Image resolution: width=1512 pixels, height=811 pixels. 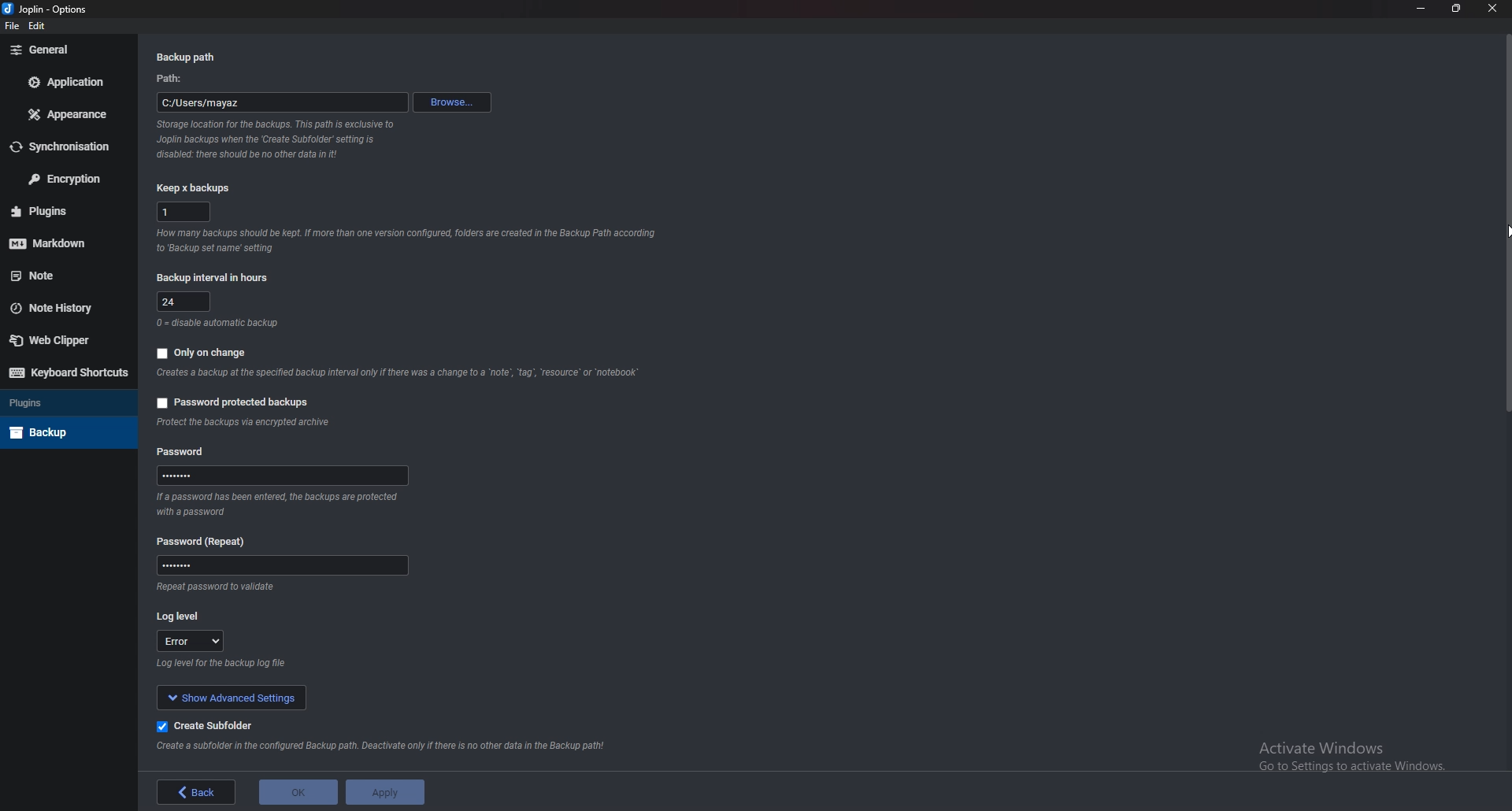 What do you see at coordinates (217, 588) in the screenshot?
I see `Info` at bounding box center [217, 588].